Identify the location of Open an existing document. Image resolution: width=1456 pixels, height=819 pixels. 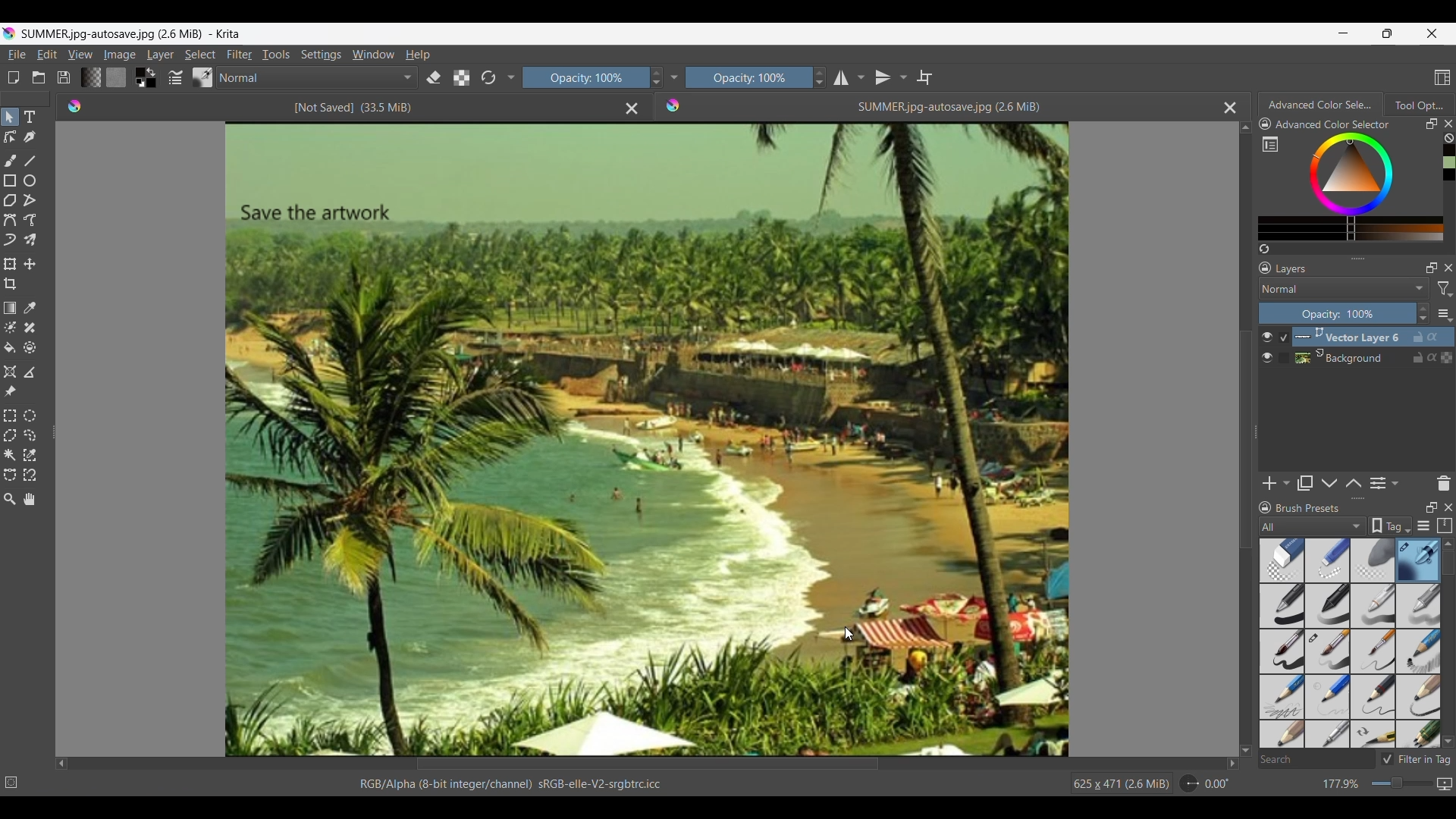
(39, 77).